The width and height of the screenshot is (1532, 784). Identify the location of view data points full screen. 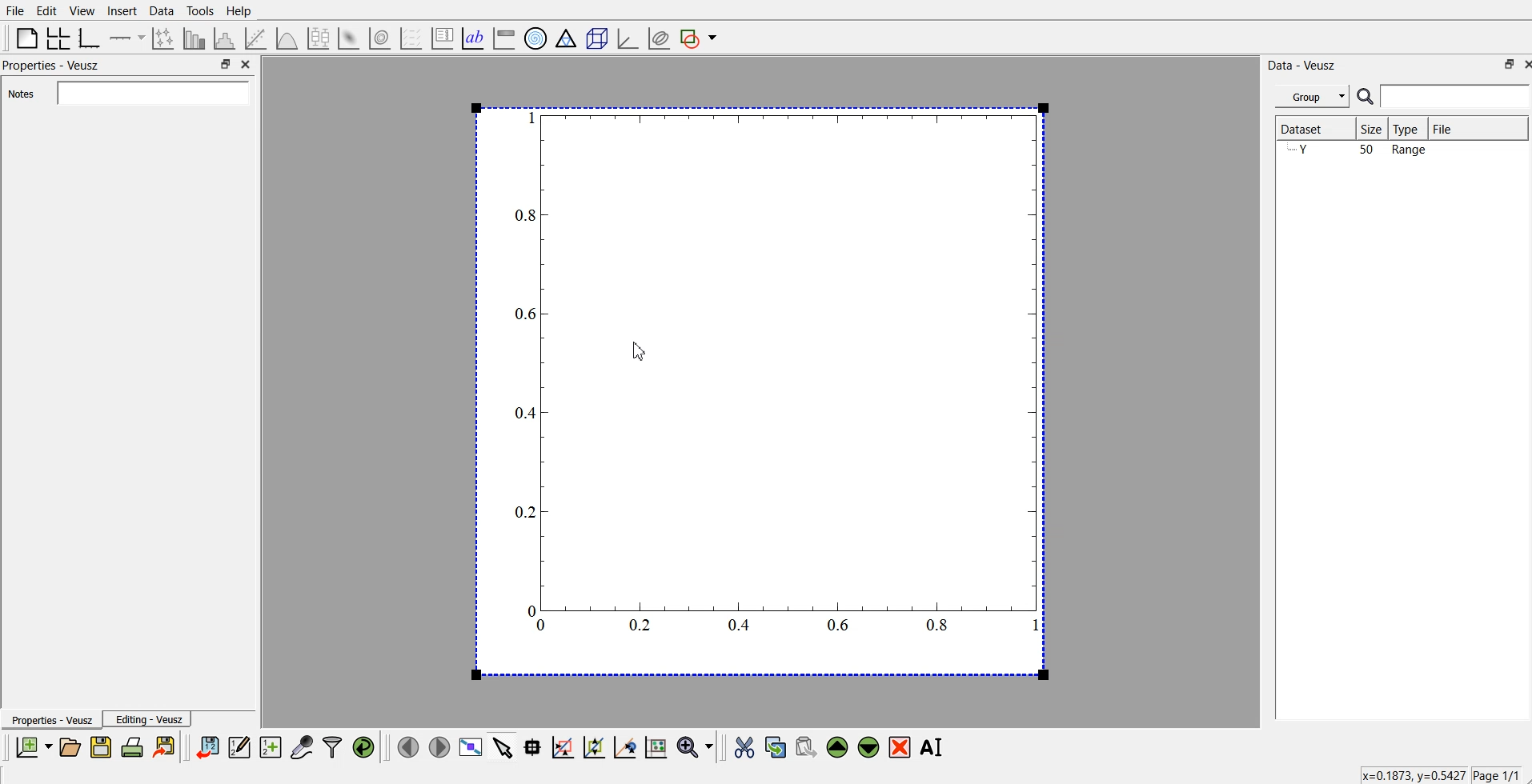
(468, 748).